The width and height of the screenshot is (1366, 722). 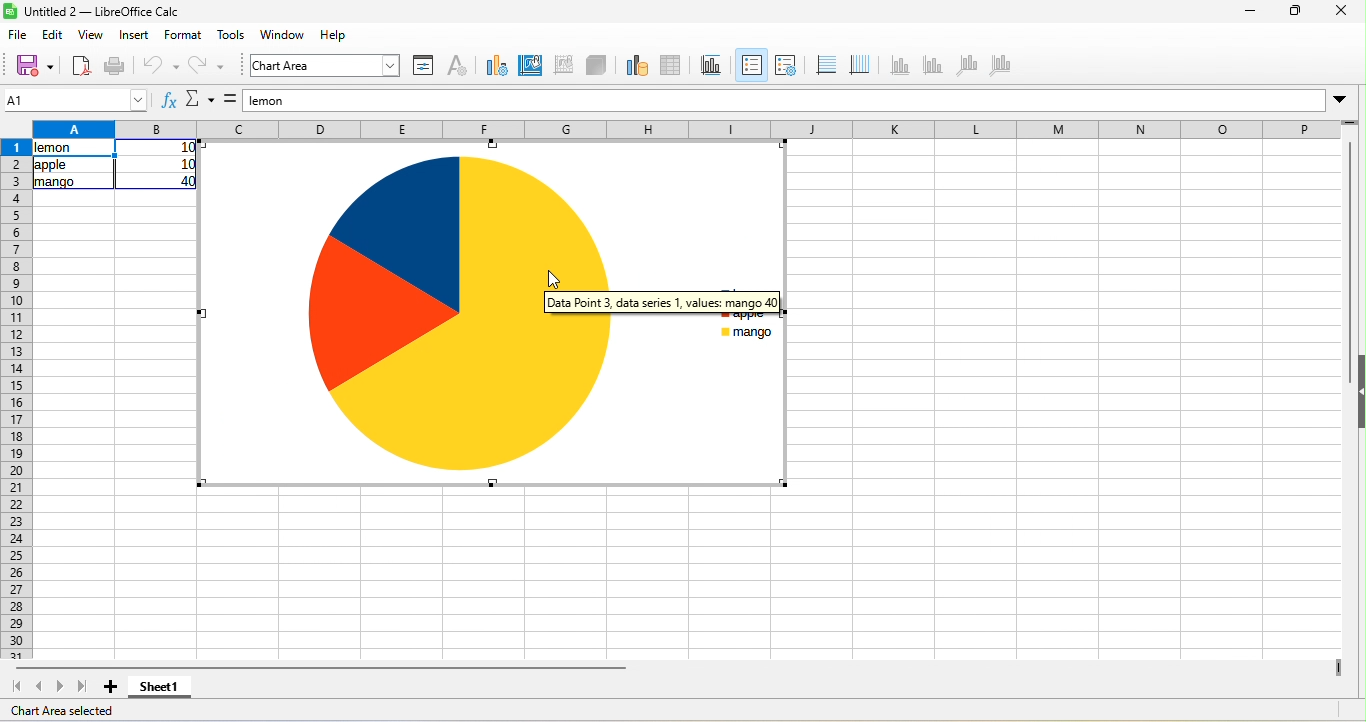 I want to click on format selection, so click(x=426, y=67).